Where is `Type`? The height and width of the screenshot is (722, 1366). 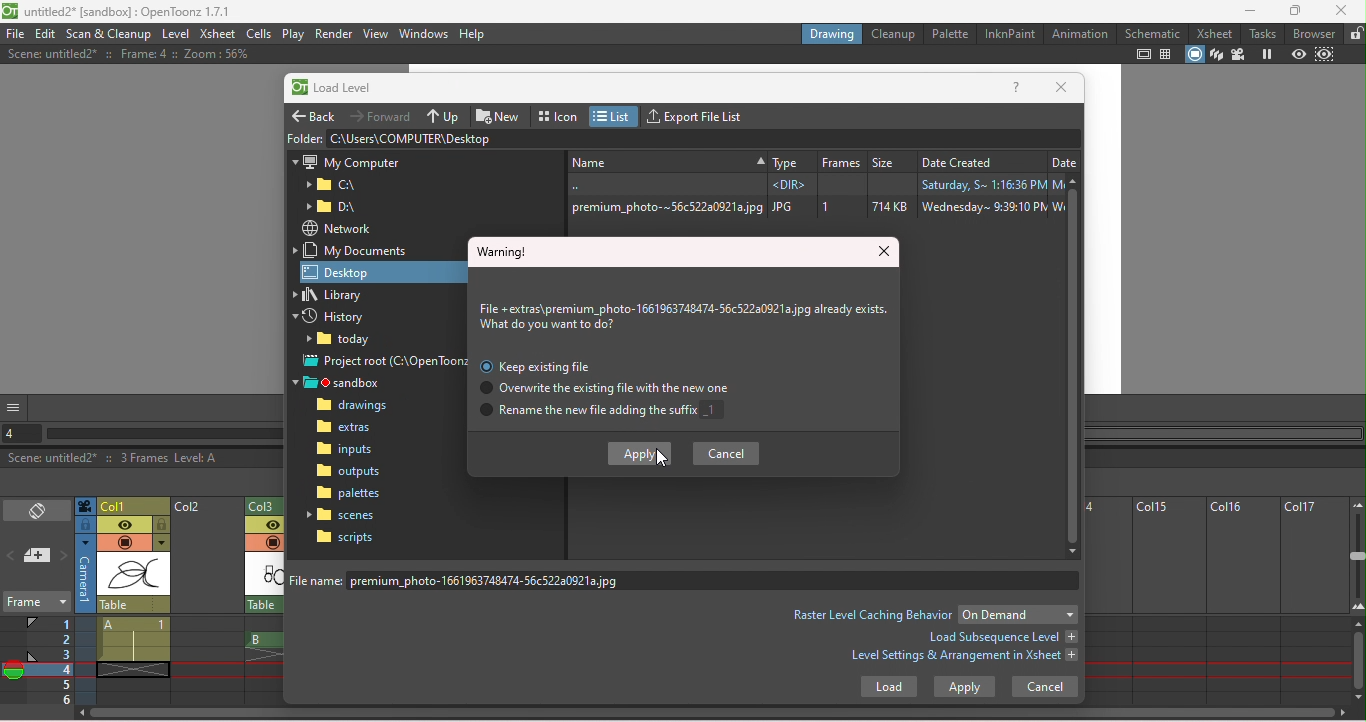
Type is located at coordinates (790, 159).